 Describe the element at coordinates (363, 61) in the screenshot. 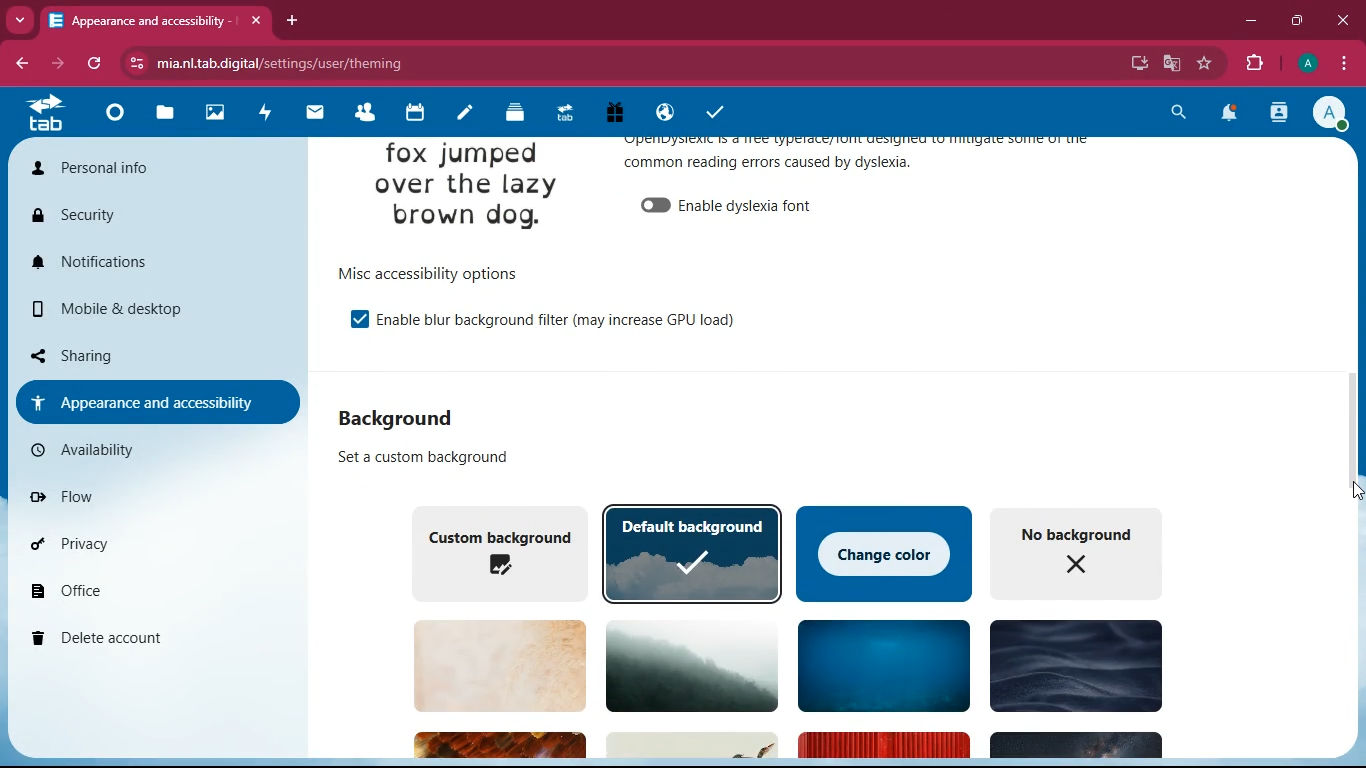

I see `url` at that location.